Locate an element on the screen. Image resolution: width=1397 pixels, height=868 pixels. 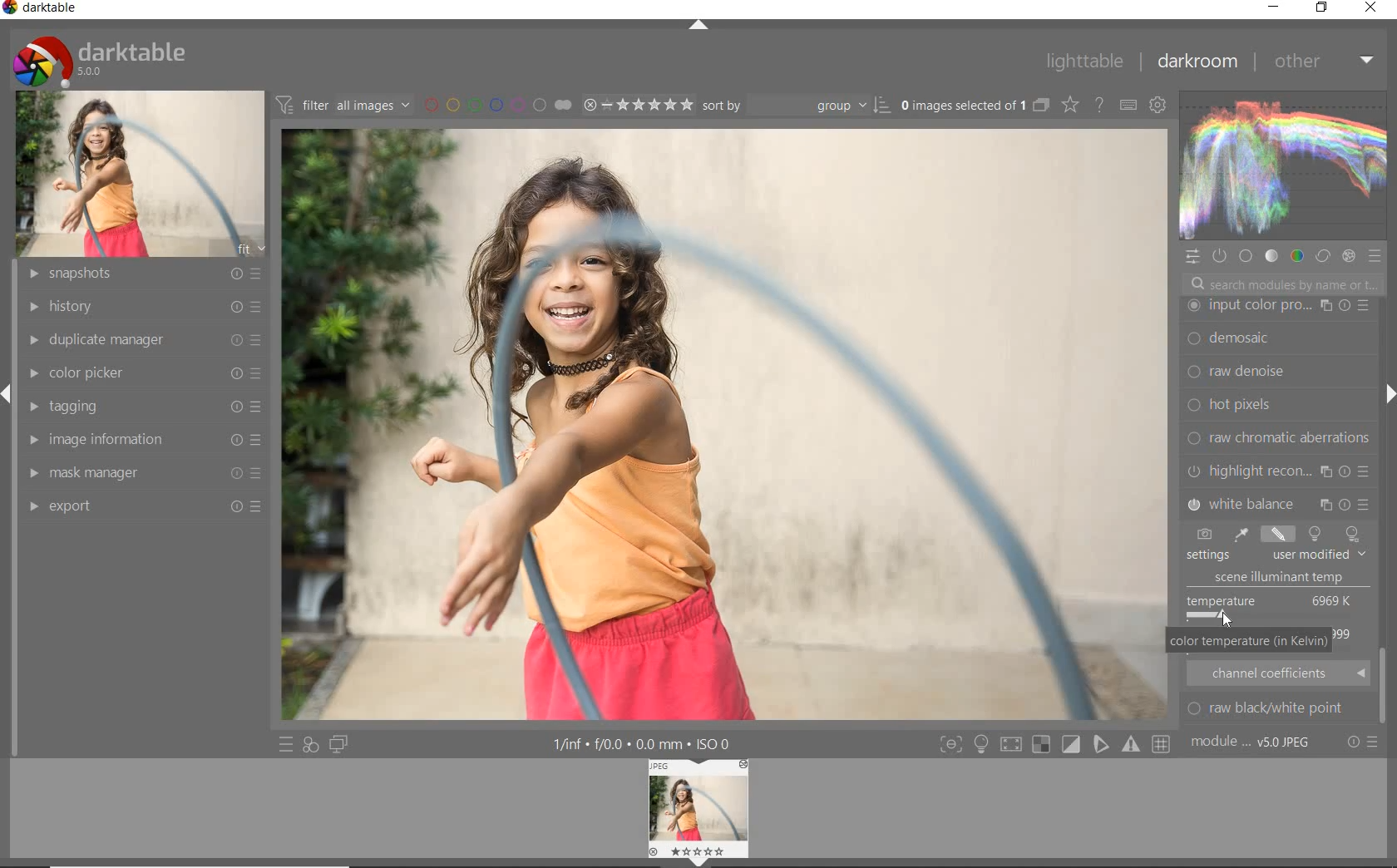
framing is located at coordinates (1277, 340).